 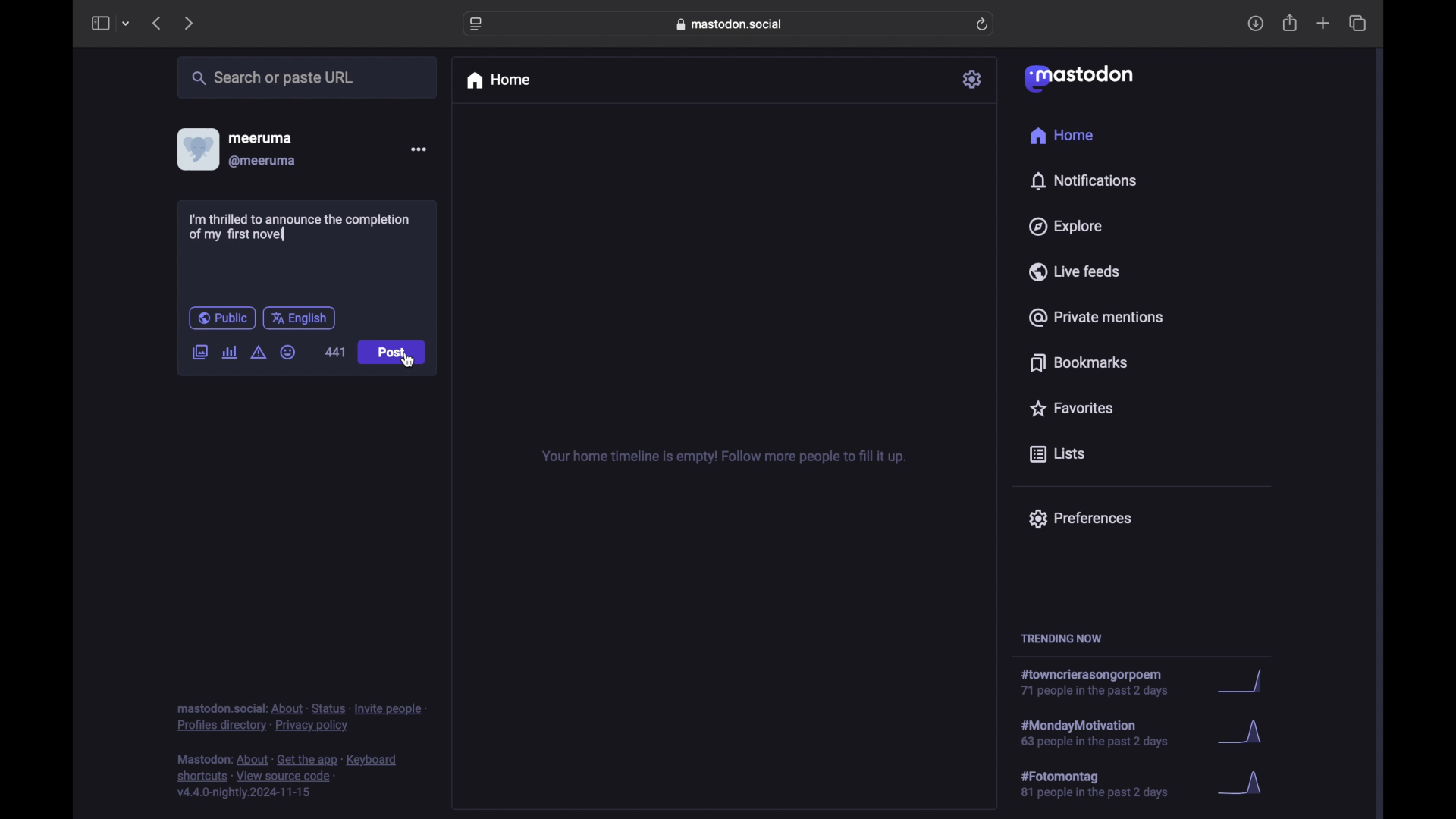 I want to click on home, so click(x=497, y=80).